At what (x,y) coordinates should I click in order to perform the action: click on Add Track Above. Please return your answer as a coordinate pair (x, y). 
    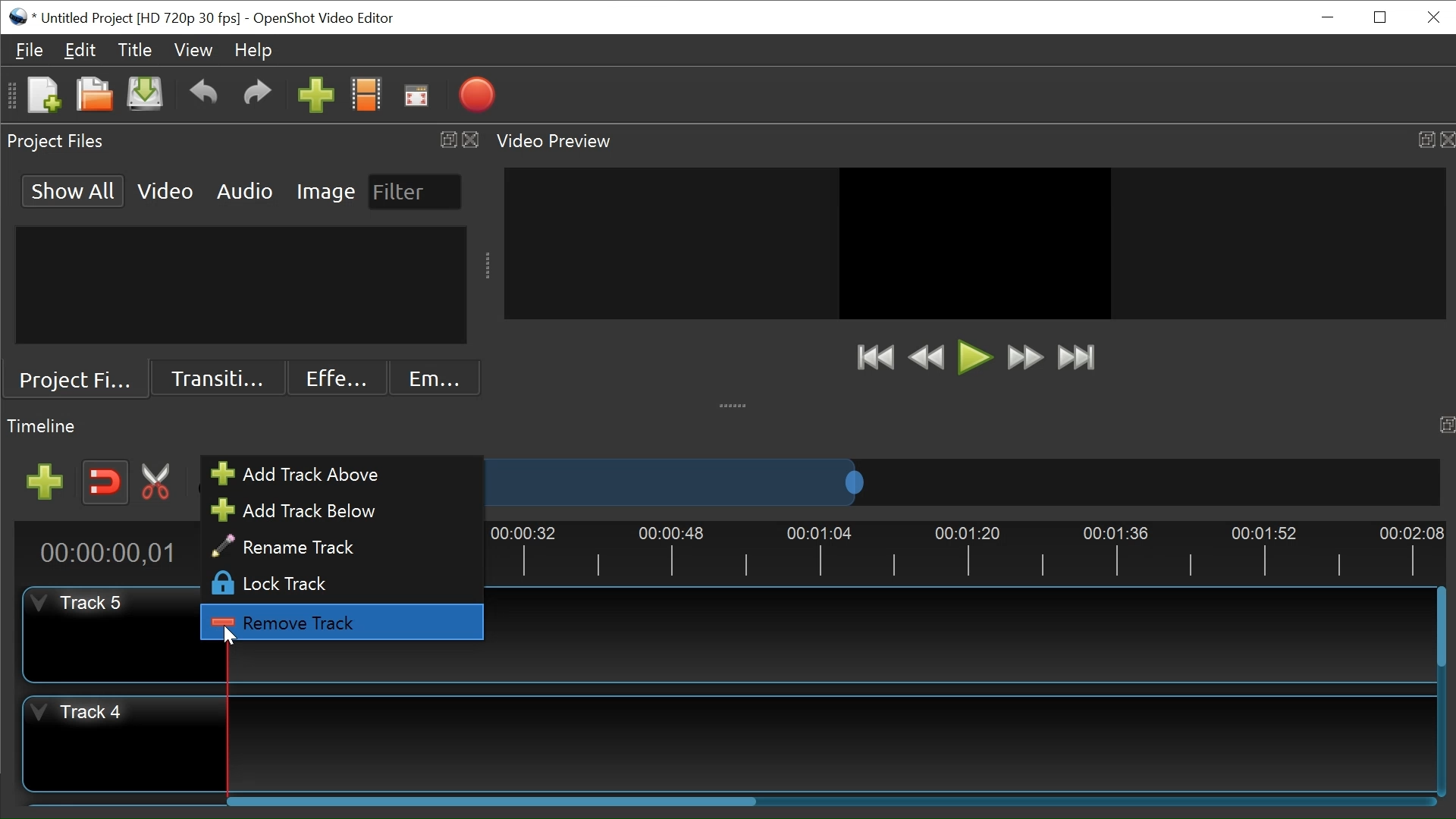
    Looking at the image, I should click on (335, 475).